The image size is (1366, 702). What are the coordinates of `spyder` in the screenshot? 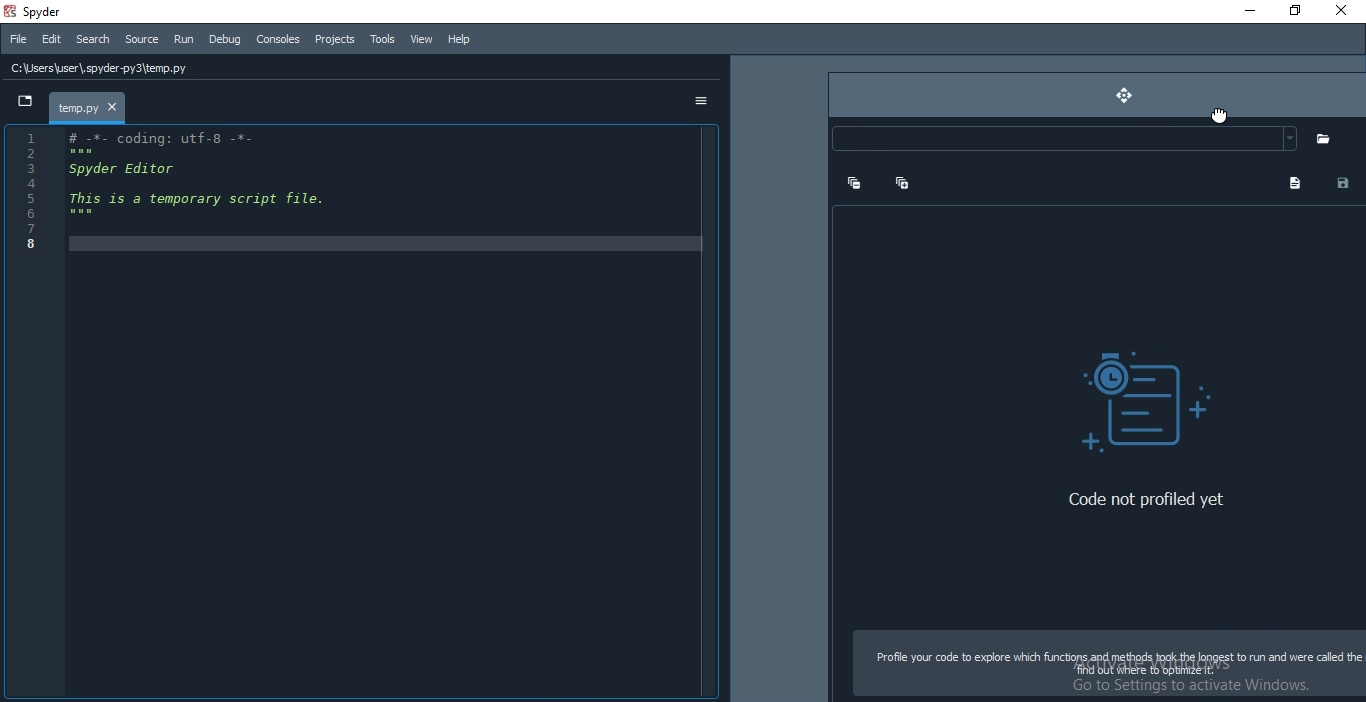 It's located at (43, 11).